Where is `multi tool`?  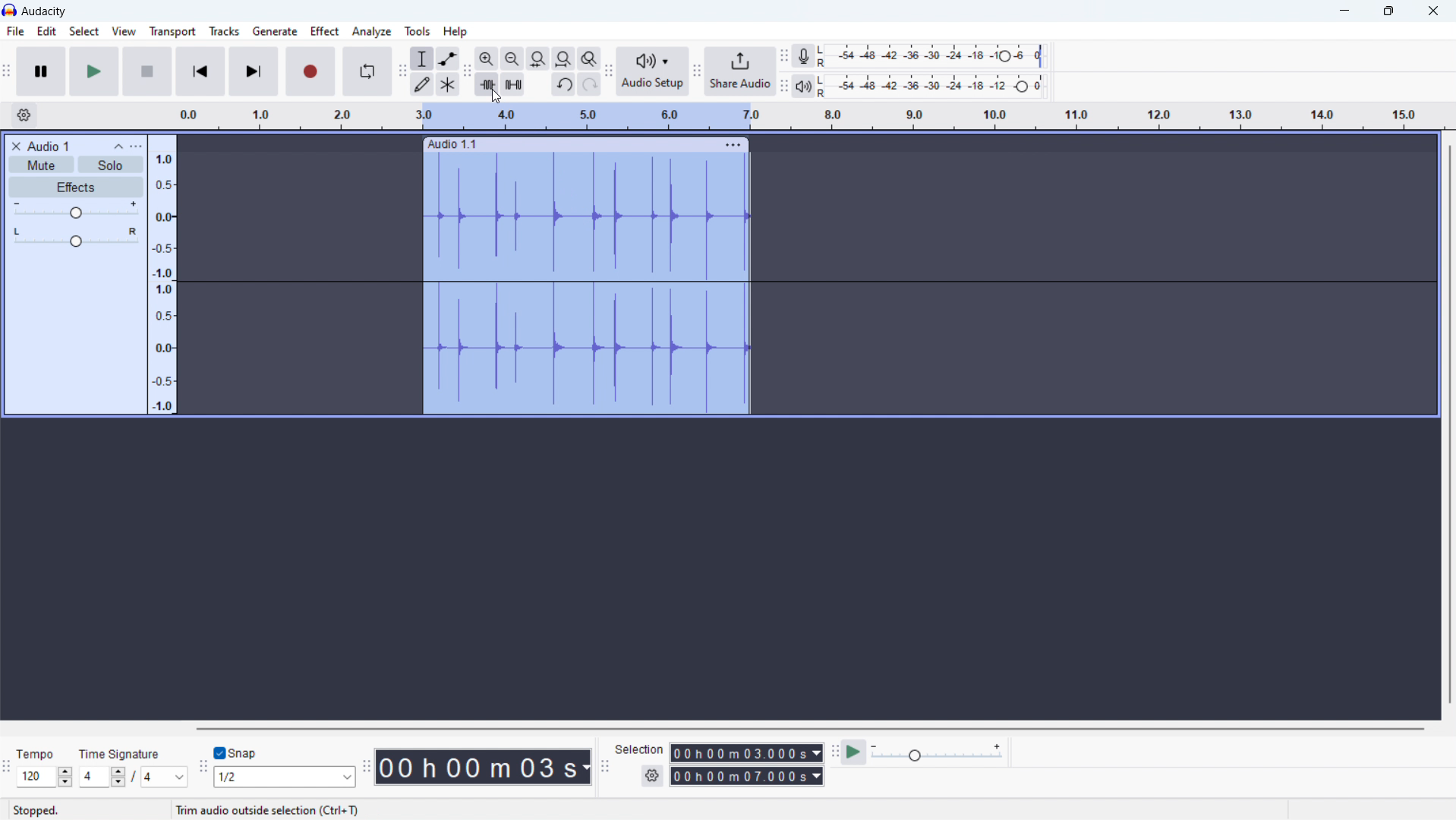 multi tool is located at coordinates (448, 84).